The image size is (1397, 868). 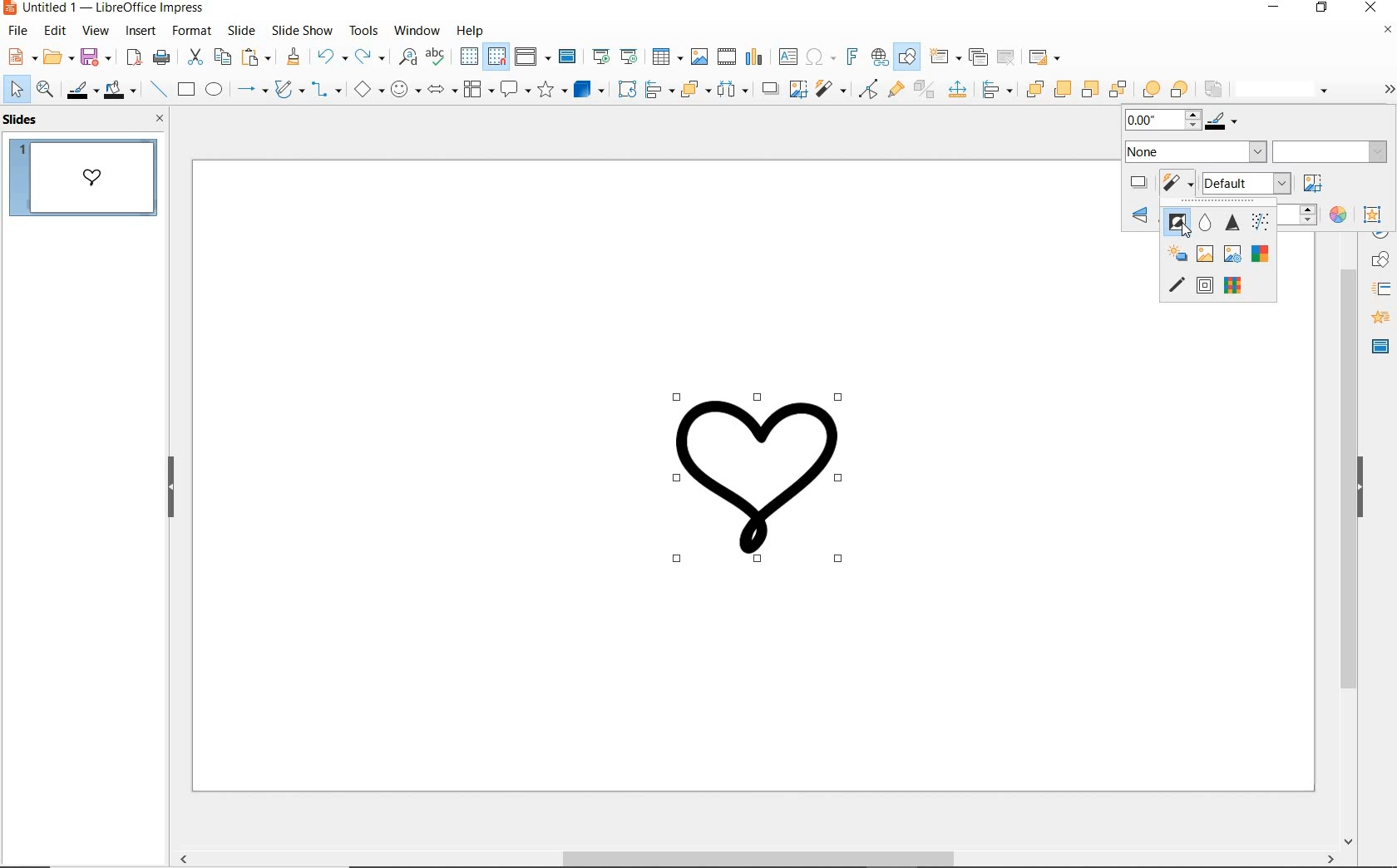 I want to click on find and replace, so click(x=408, y=58).